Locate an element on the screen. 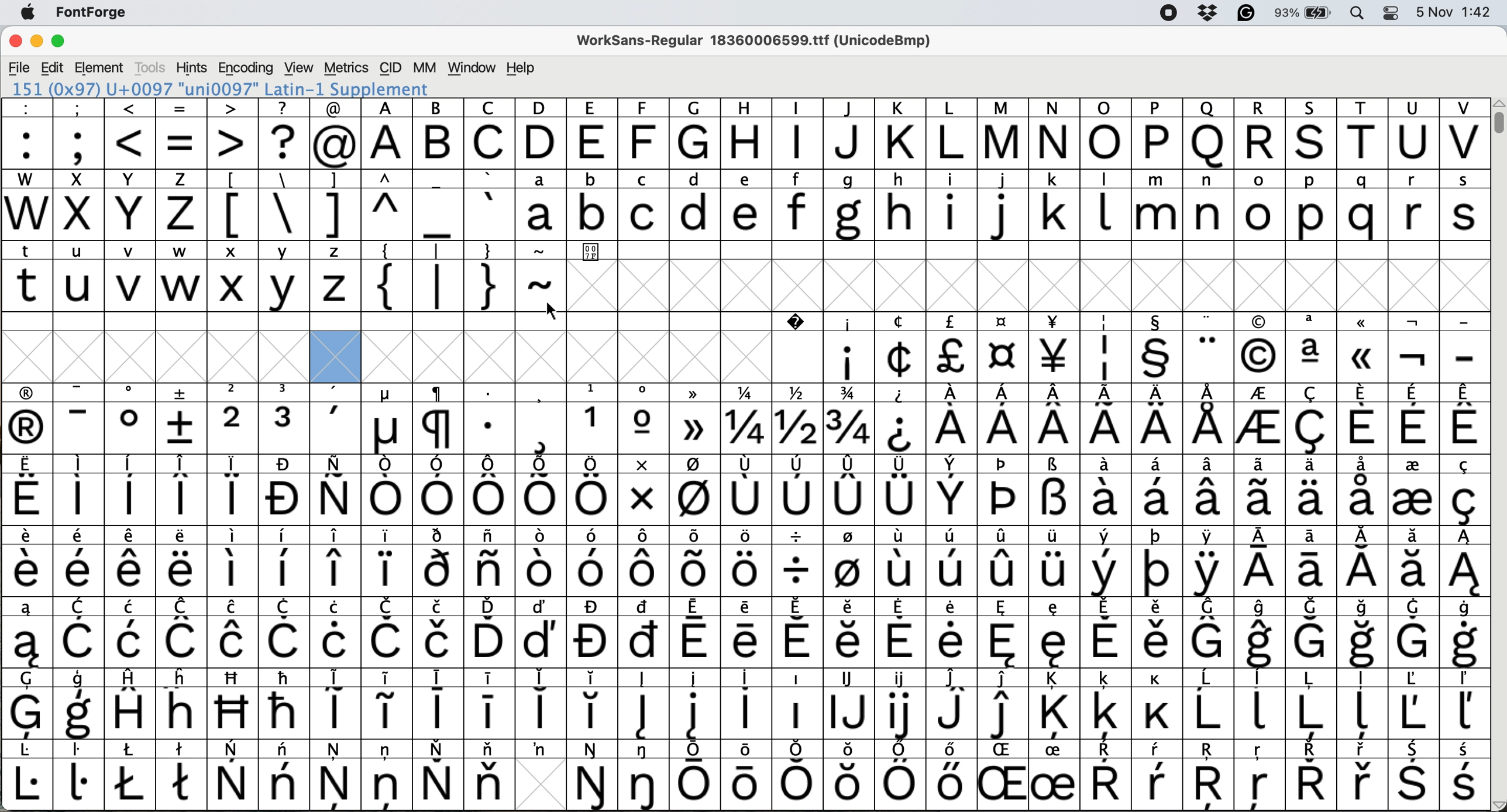 The image size is (1507, 812). symbol is located at coordinates (1054, 776).